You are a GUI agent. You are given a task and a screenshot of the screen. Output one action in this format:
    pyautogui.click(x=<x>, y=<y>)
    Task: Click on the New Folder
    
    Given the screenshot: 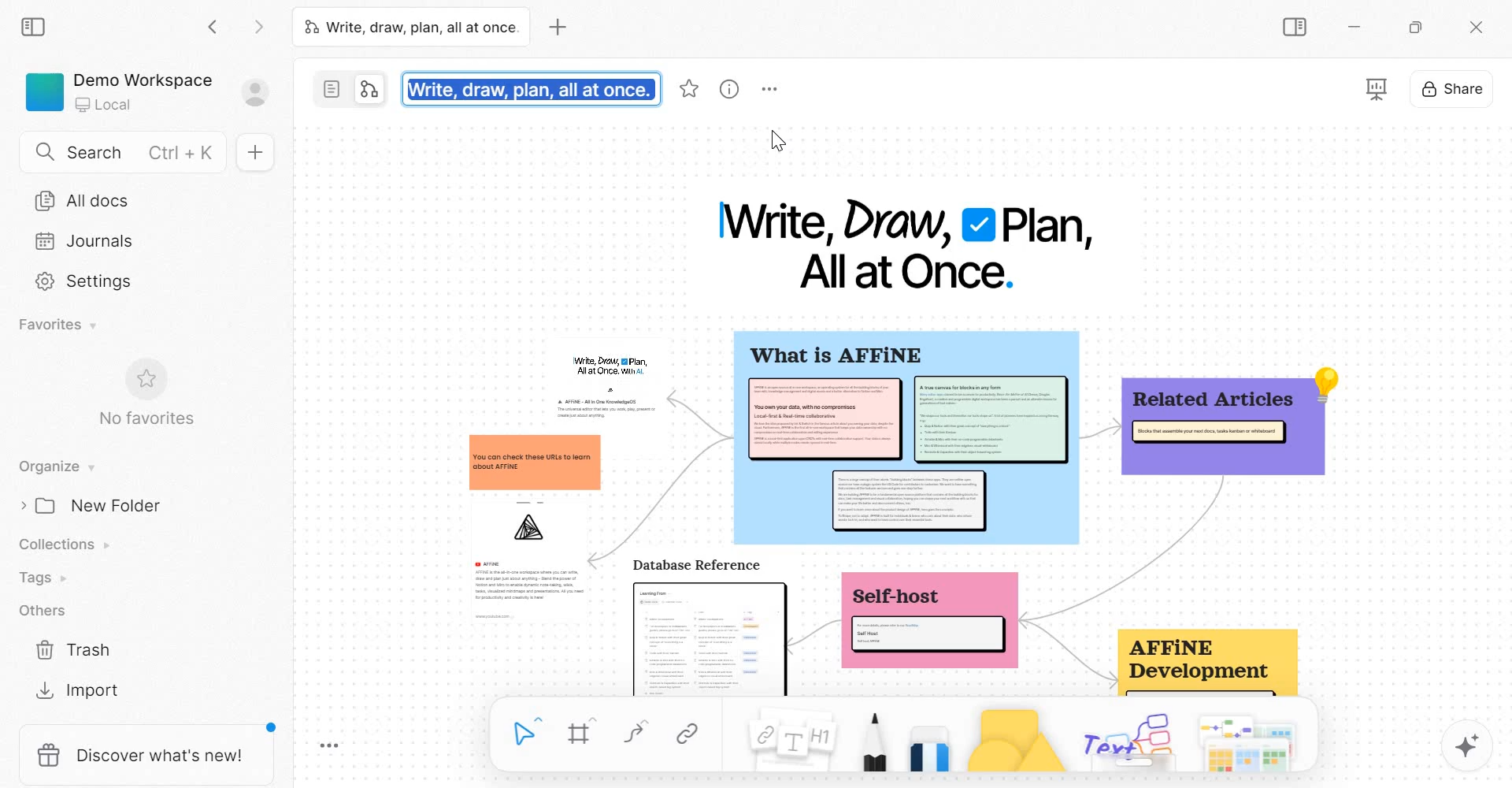 What is the action you would take?
    pyautogui.click(x=98, y=505)
    